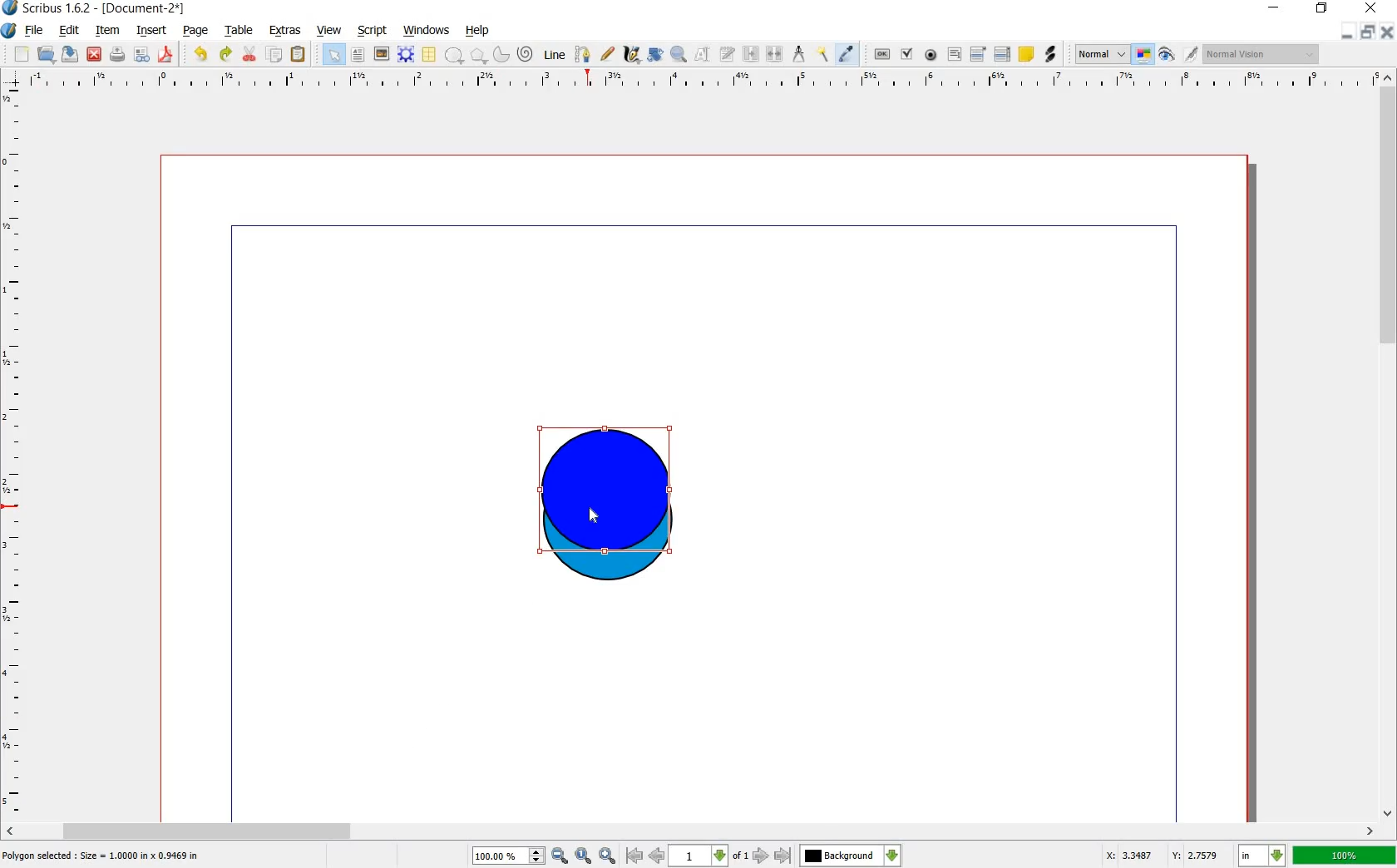 Image resolution: width=1397 pixels, height=868 pixels. I want to click on zoom to, so click(584, 856).